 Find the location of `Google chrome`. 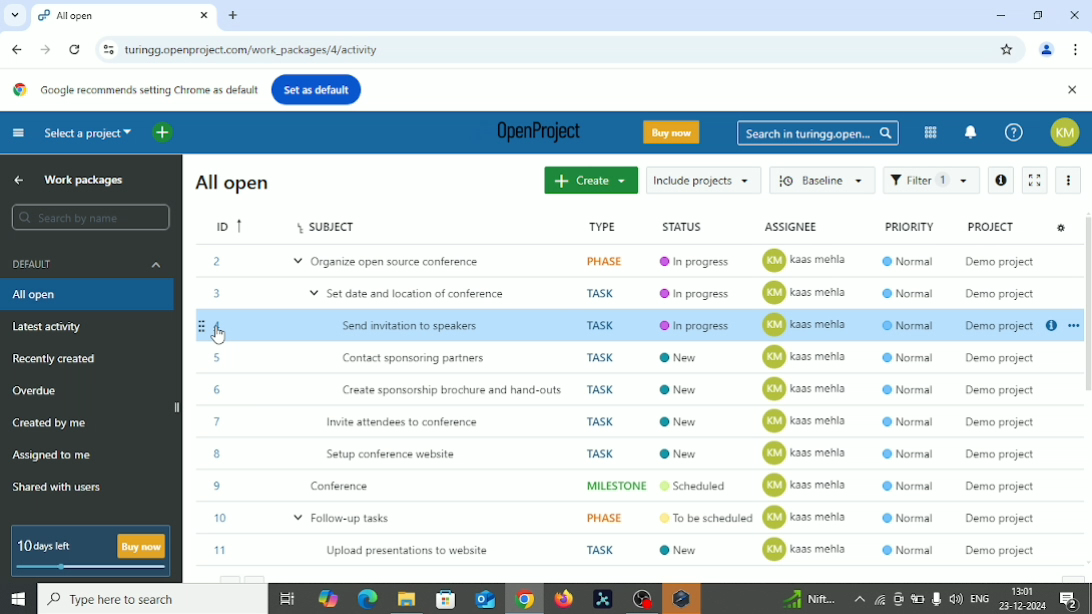

Google chrome is located at coordinates (524, 601).